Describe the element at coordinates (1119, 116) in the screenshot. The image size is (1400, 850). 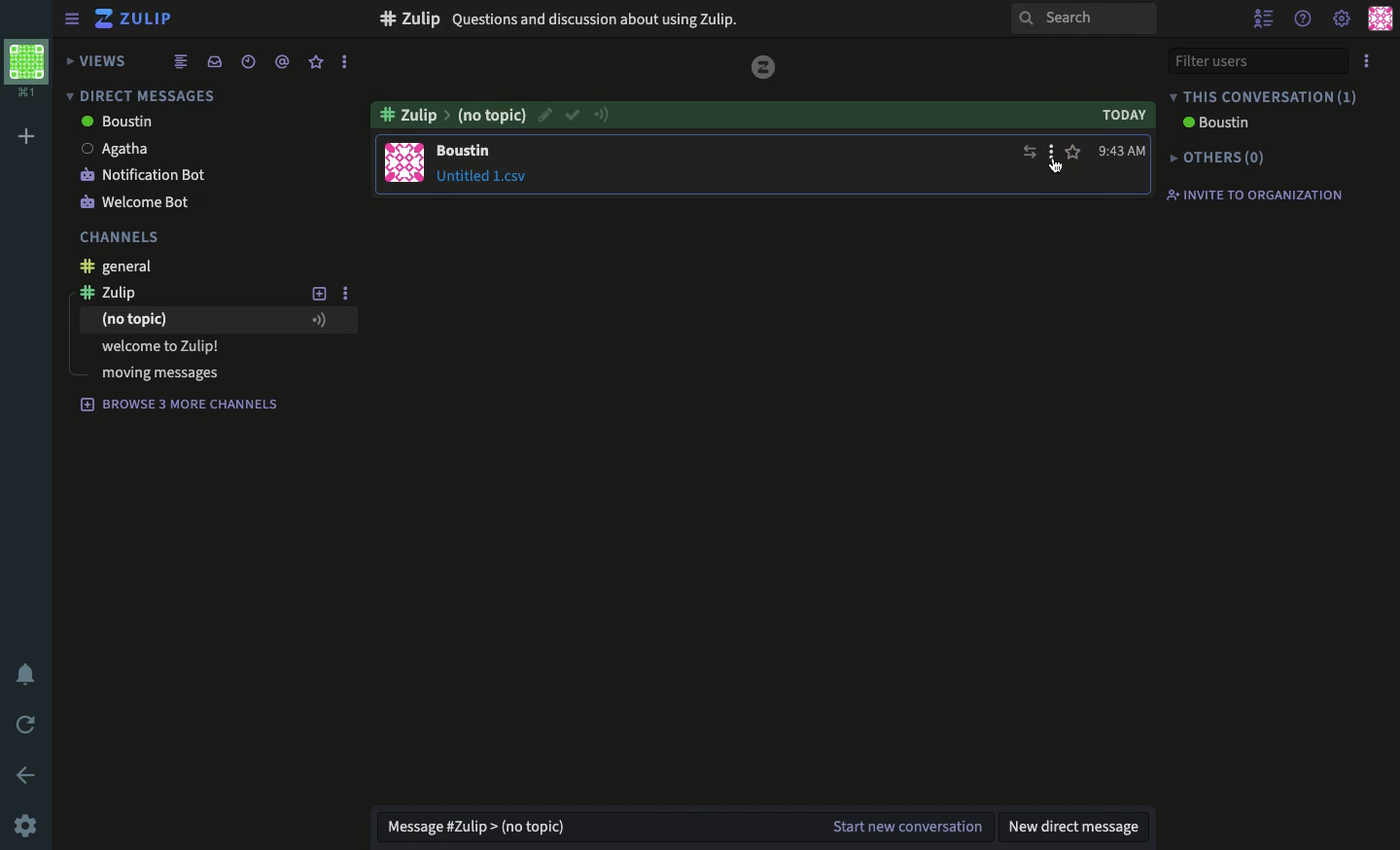
I see `today` at that location.